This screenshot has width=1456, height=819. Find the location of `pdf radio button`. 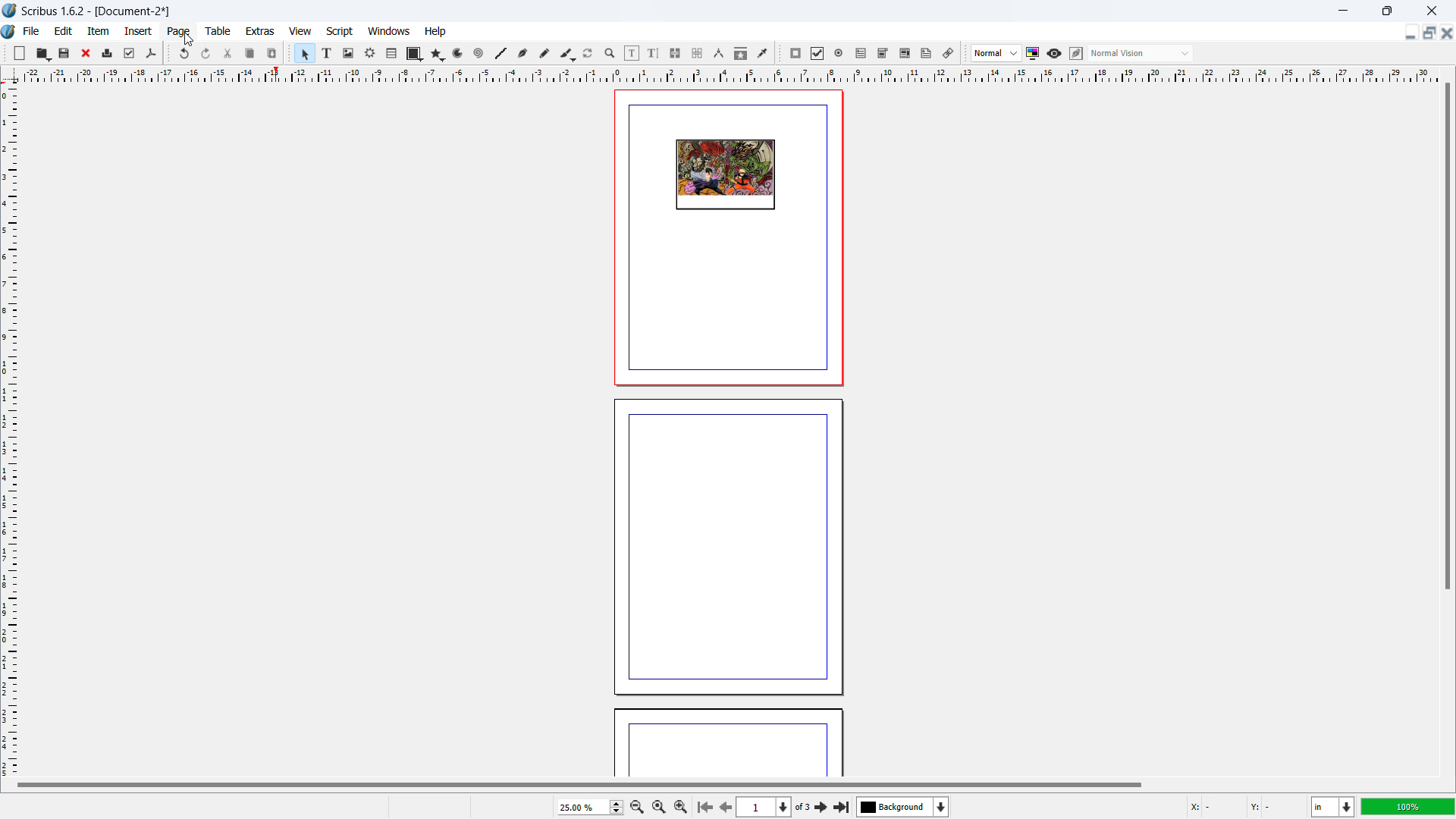

pdf radio button is located at coordinates (839, 52).